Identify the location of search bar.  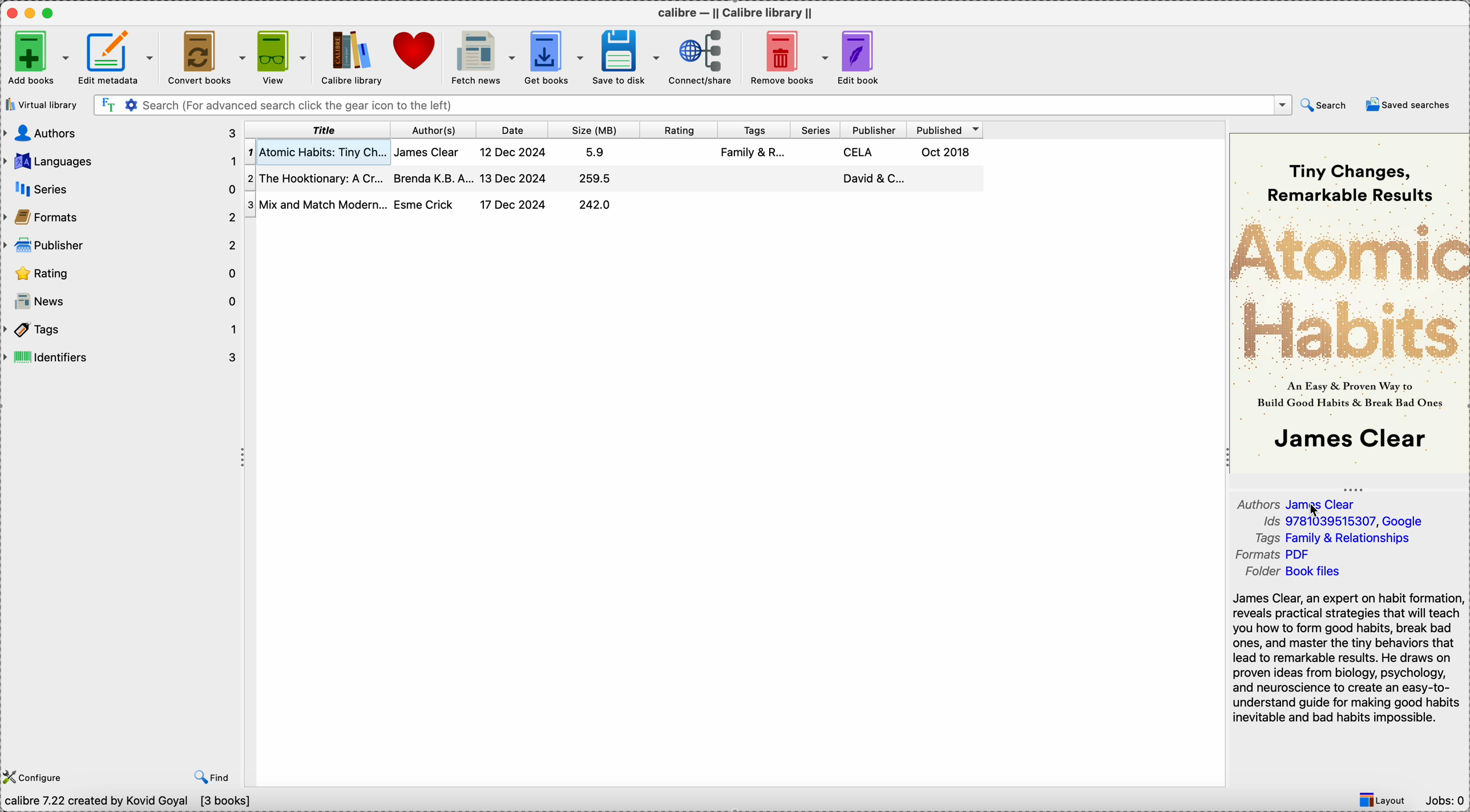
(692, 104).